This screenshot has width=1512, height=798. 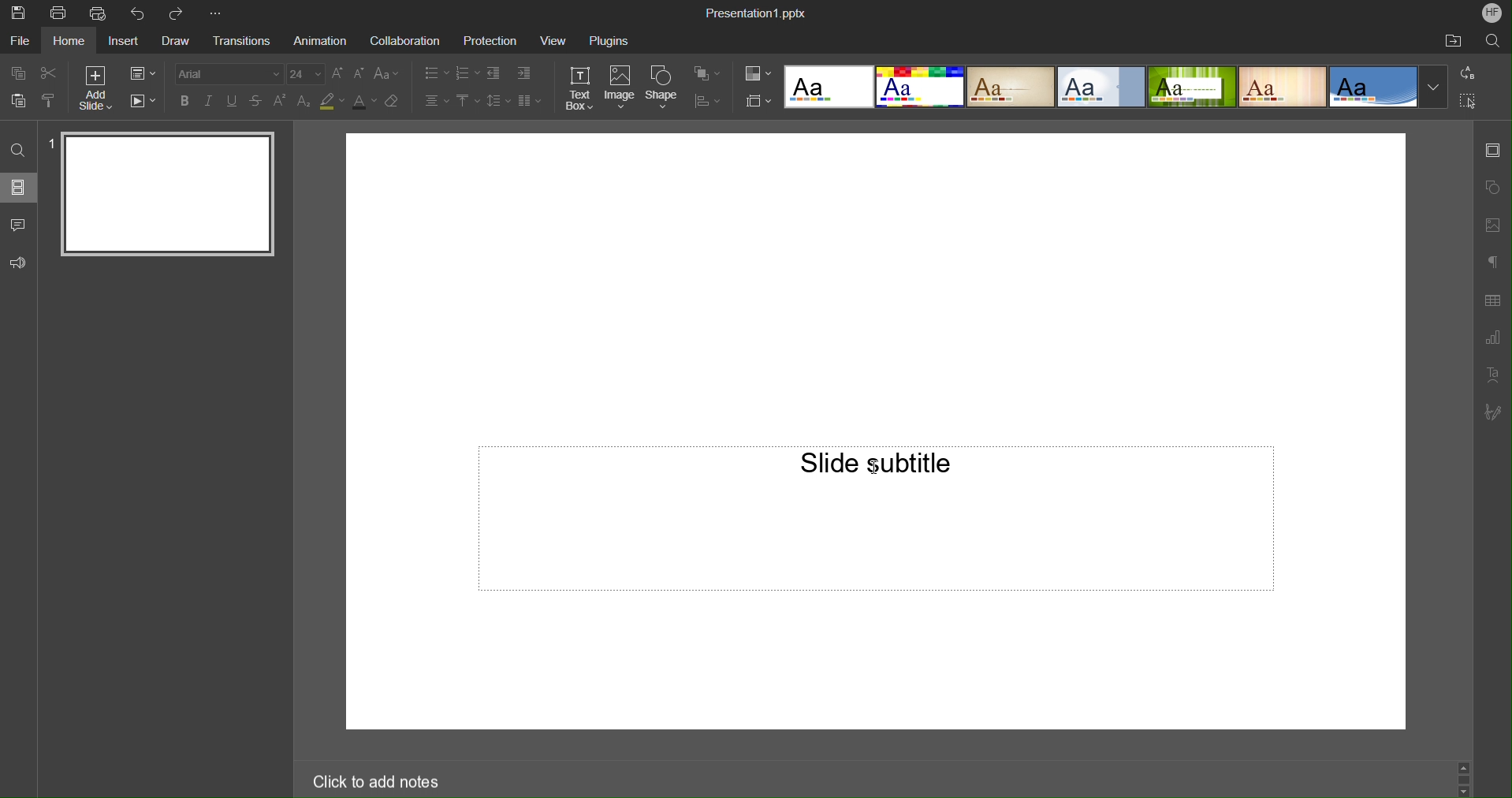 I want to click on Template, so click(x=826, y=88).